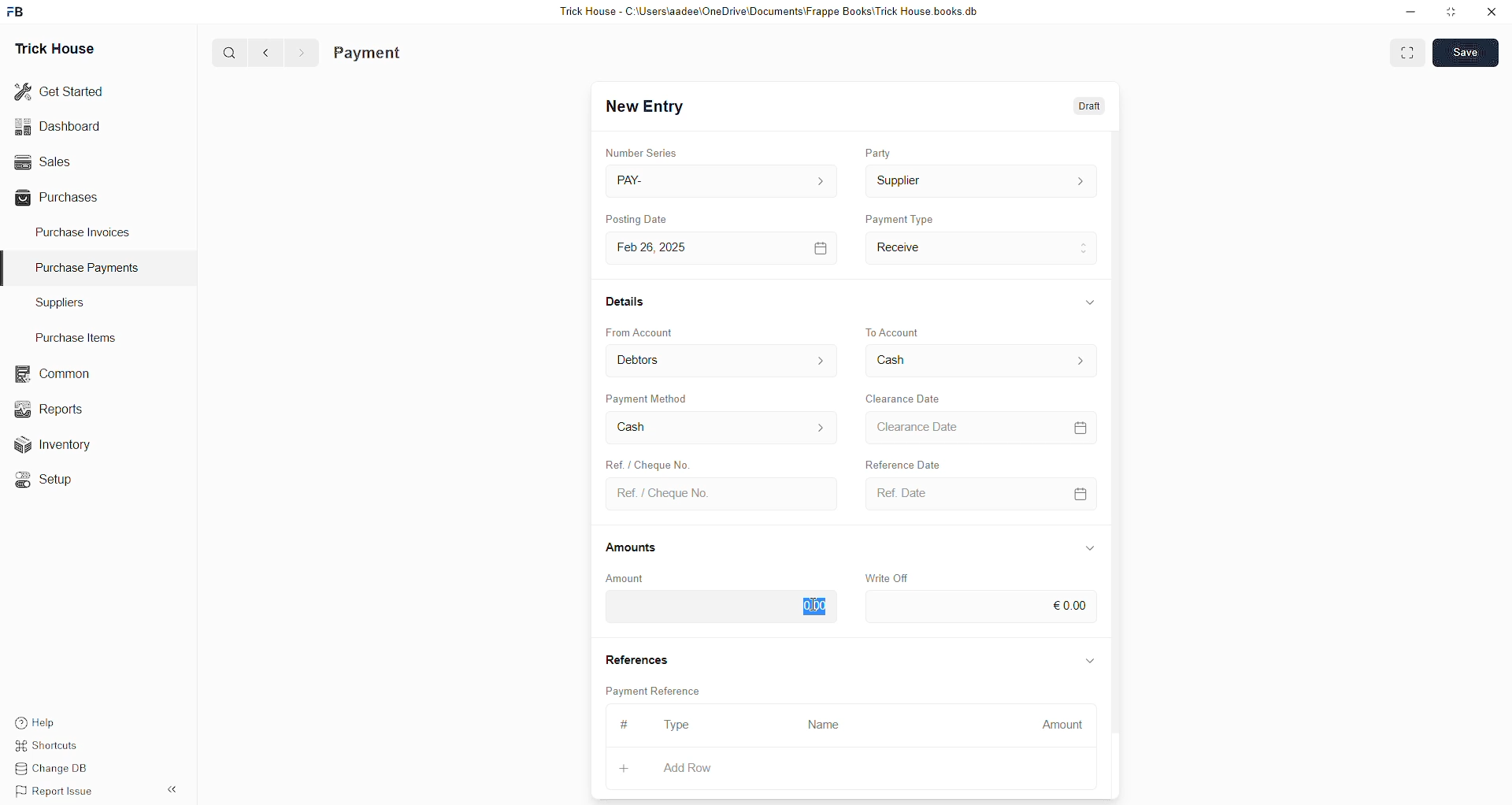  What do you see at coordinates (653, 690) in the screenshot?
I see `Payment Reference` at bounding box center [653, 690].